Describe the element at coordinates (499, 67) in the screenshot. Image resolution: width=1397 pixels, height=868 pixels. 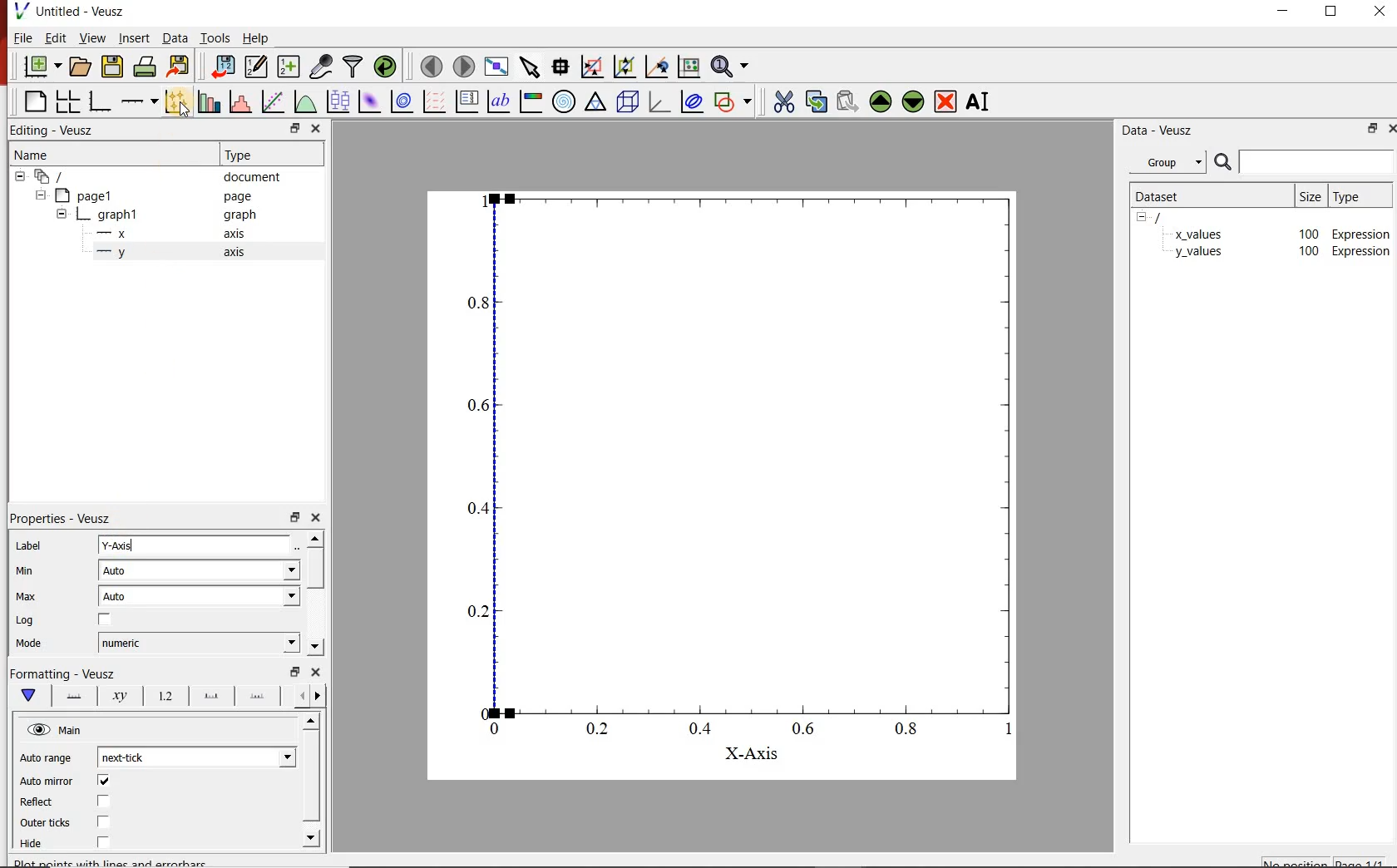
I see `view plot fullscreen` at that location.